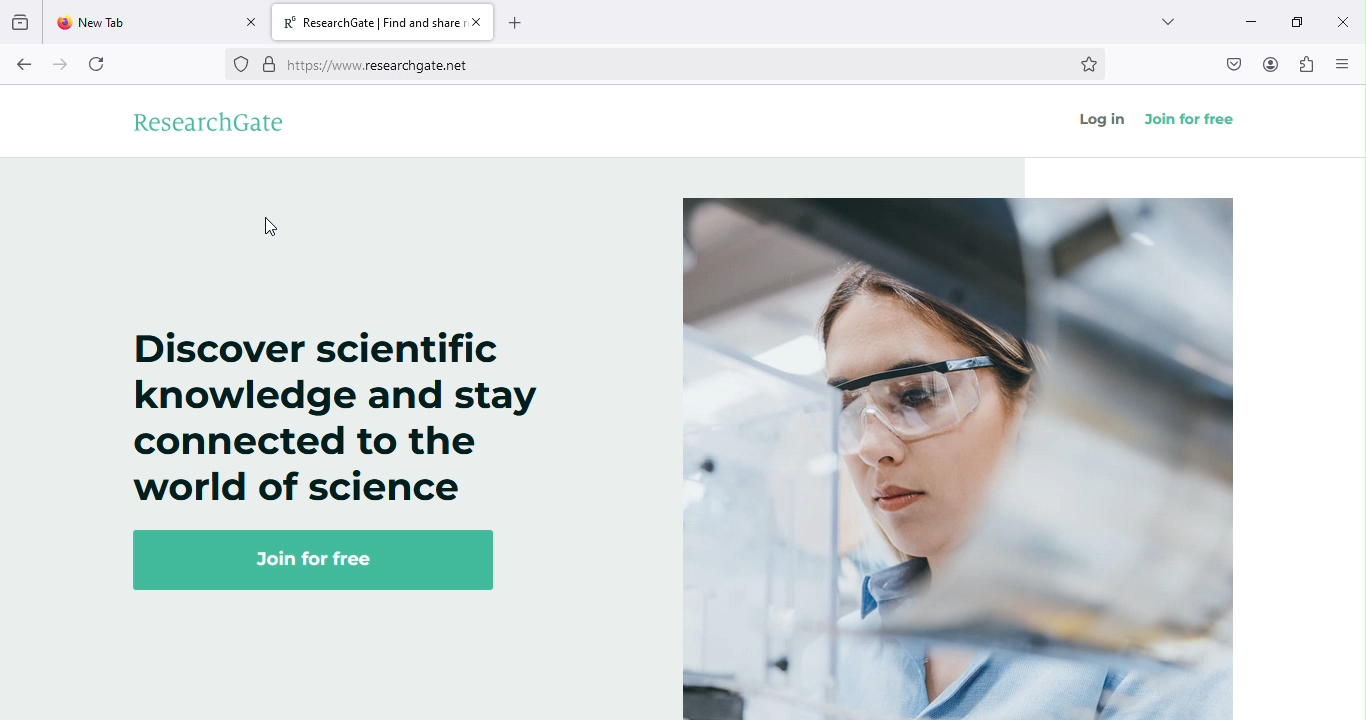 The height and width of the screenshot is (720, 1366). I want to click on image on researchgate, so click(955, 451).